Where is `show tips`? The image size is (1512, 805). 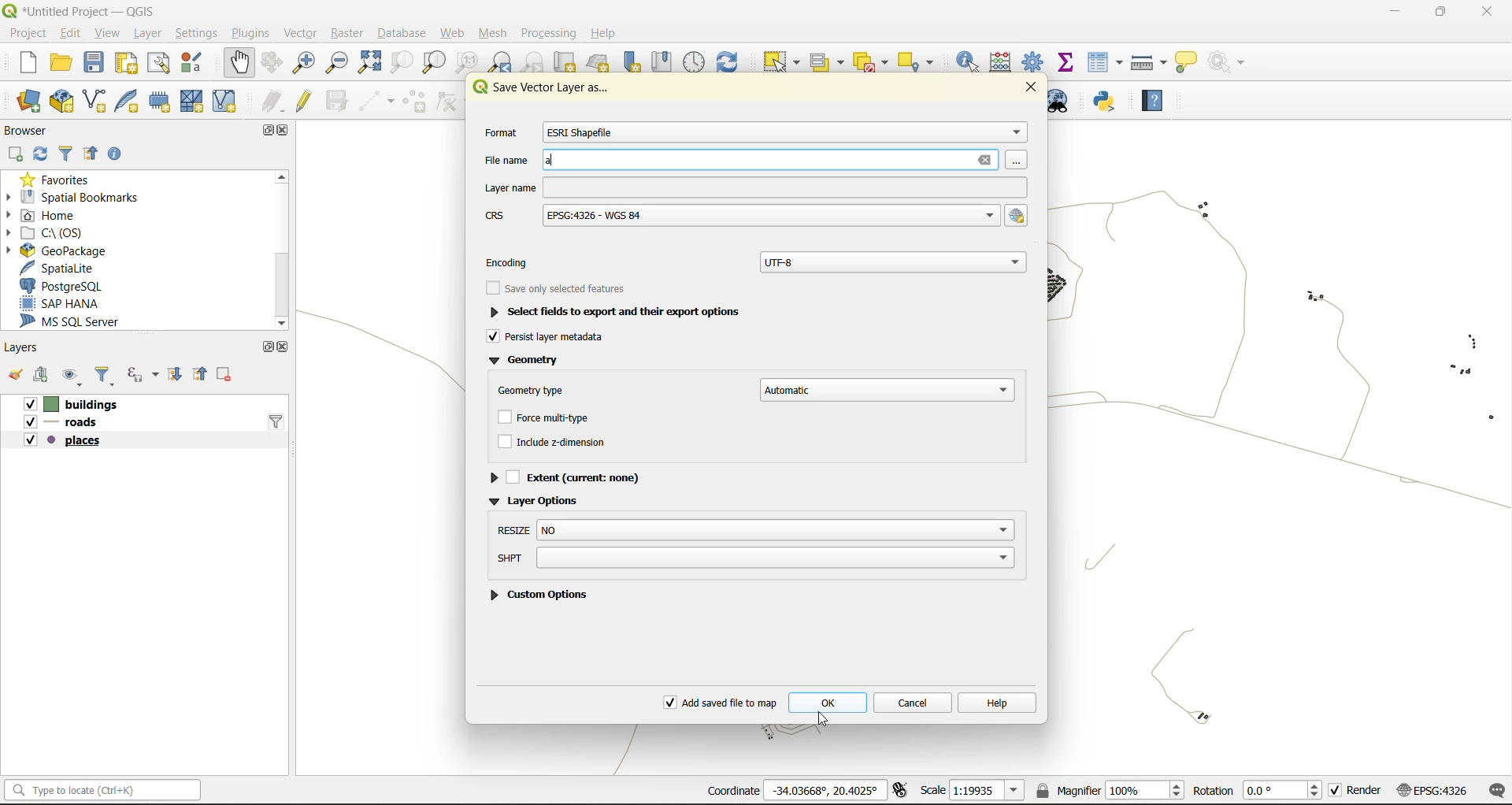
show tips is located at coordinates (1190, 63).